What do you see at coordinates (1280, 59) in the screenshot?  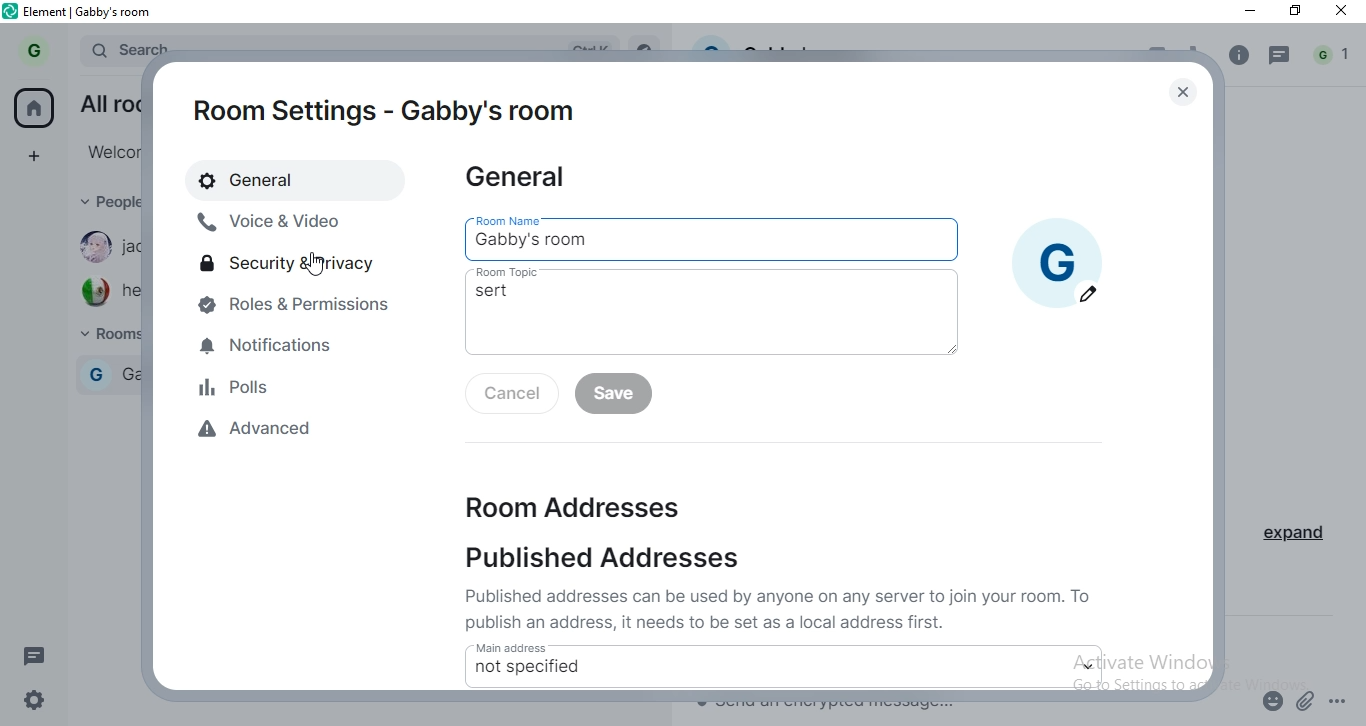 I see `message` at bounding box center [1280, 59].